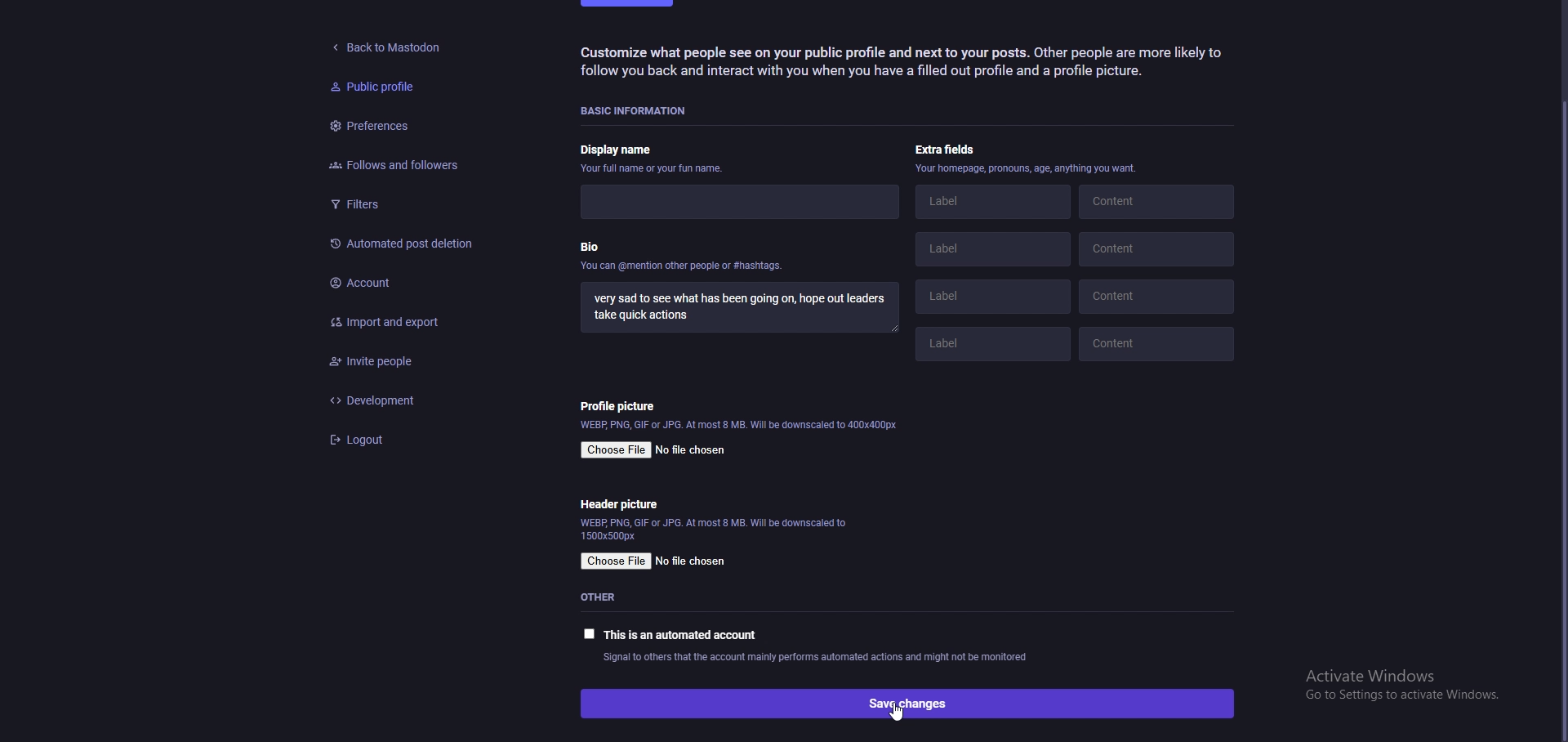  What do you see at coordinates (370, 128) in the screenshot?
I see `Preferences` at bounding box center [370, 128].